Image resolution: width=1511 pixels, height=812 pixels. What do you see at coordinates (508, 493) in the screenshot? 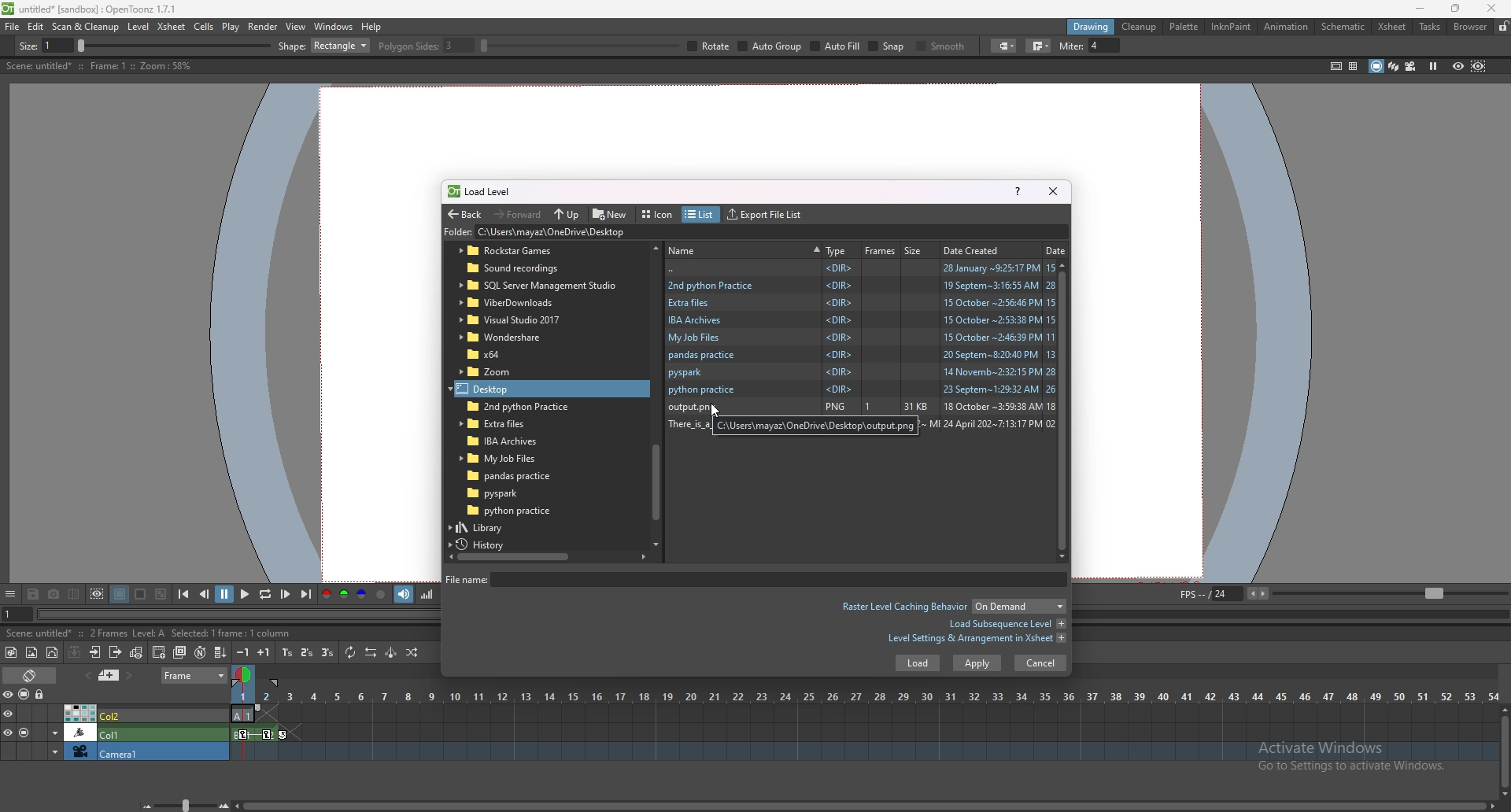
I see `folder` at bounding box center [508, 493].